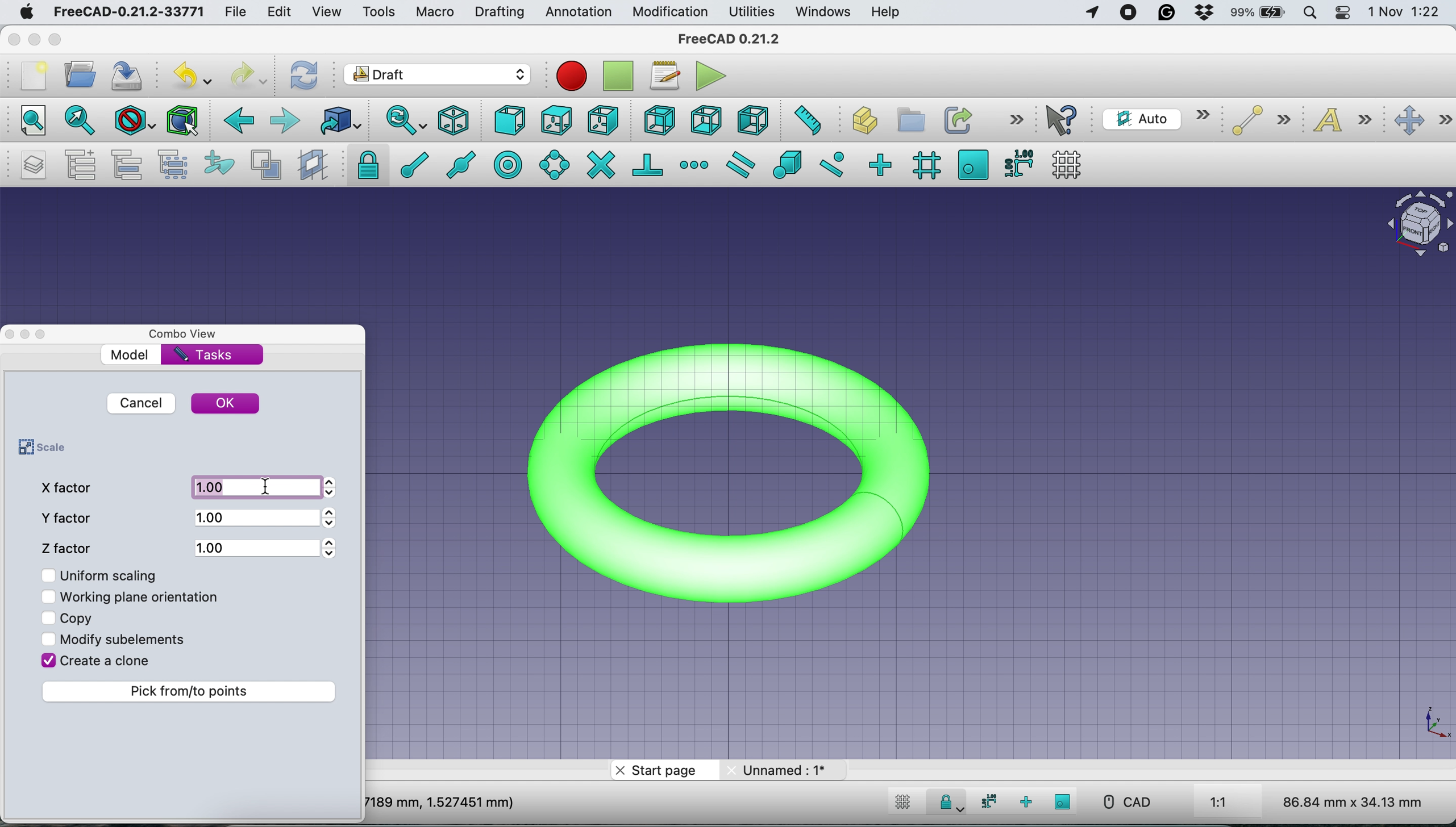  What do you see at coordinates (1257, 121) in the screenshot?
I see `line` at bounding box center [1257, 121].